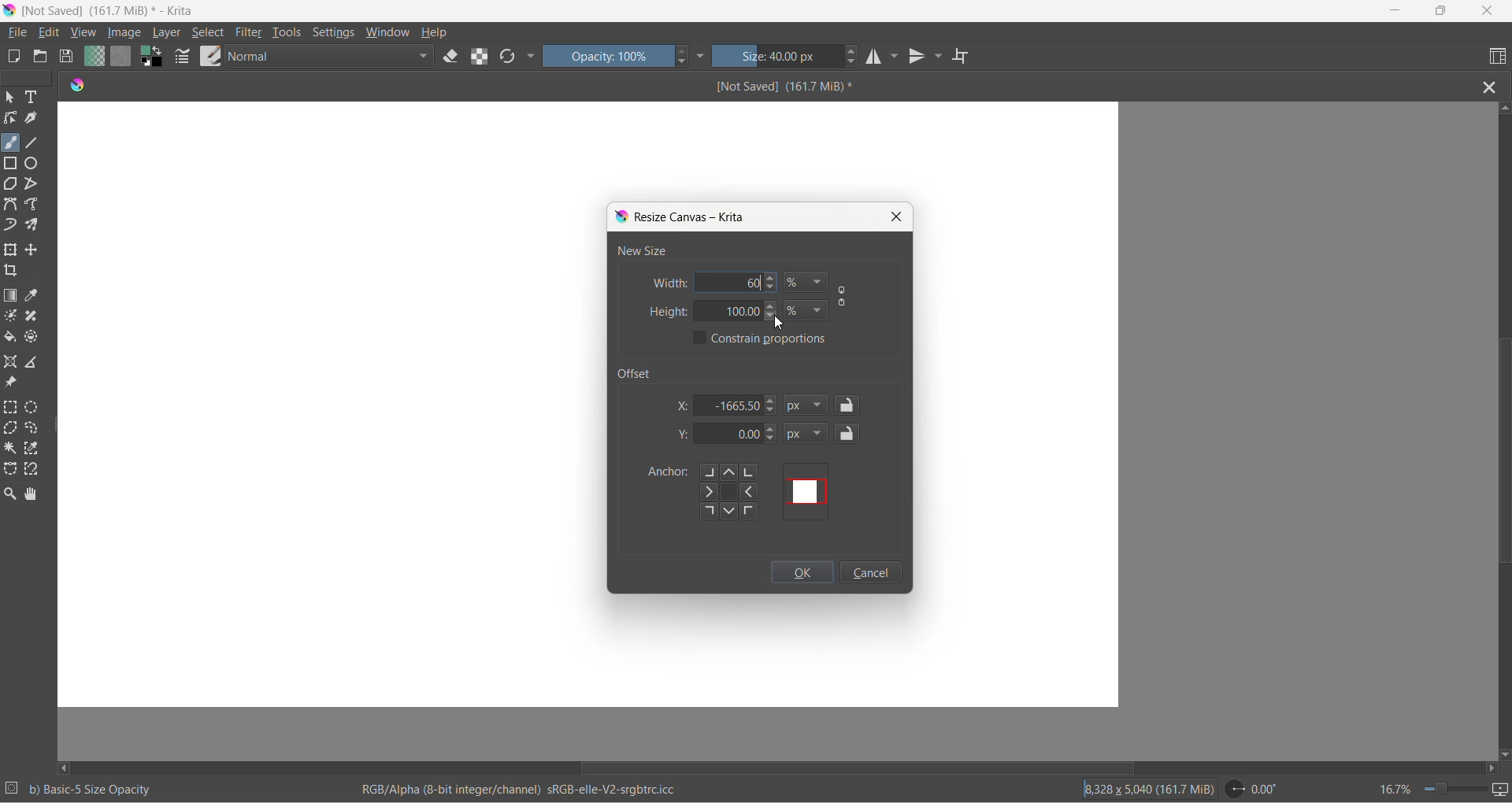  Describe the element at coordinates (843, 298) in the screenshot. I see `constant proportion button` at that location.